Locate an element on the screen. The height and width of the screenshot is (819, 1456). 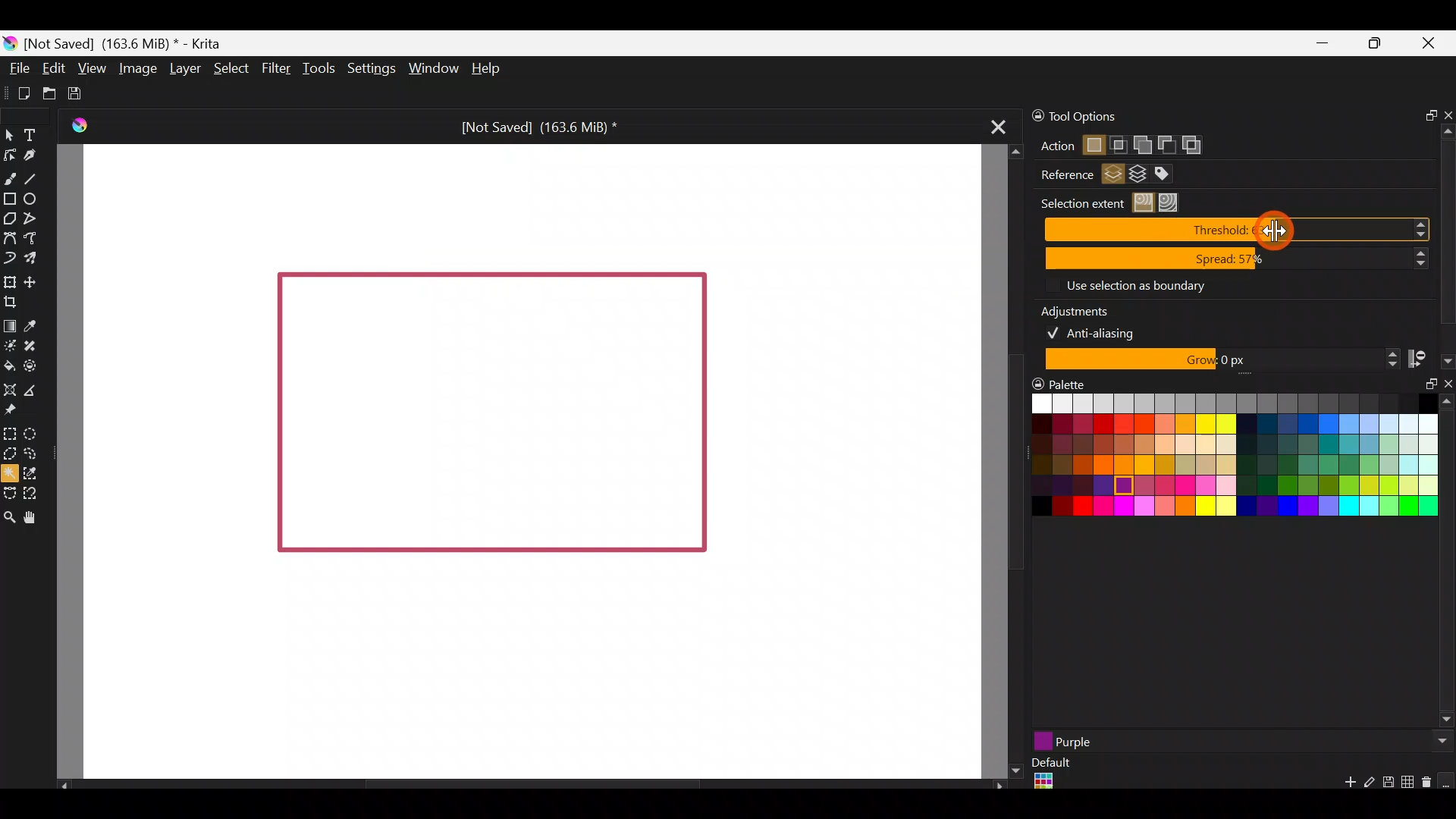
Select regions from the merging of layers is located at coordinates (1138, 177).